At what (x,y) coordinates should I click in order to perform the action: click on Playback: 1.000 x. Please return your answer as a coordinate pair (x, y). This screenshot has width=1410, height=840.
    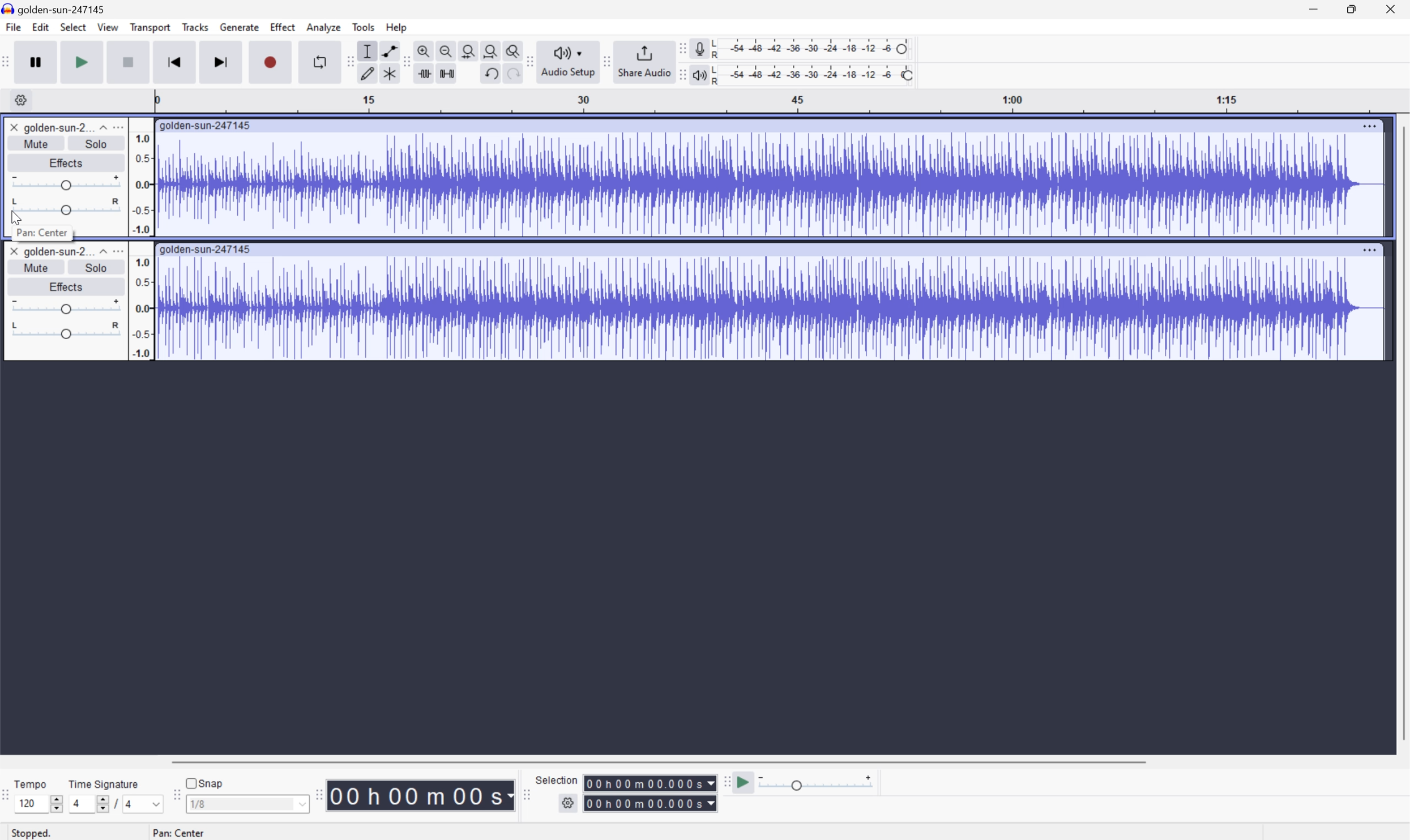
    Looking at the image, I should click on (816, 785).